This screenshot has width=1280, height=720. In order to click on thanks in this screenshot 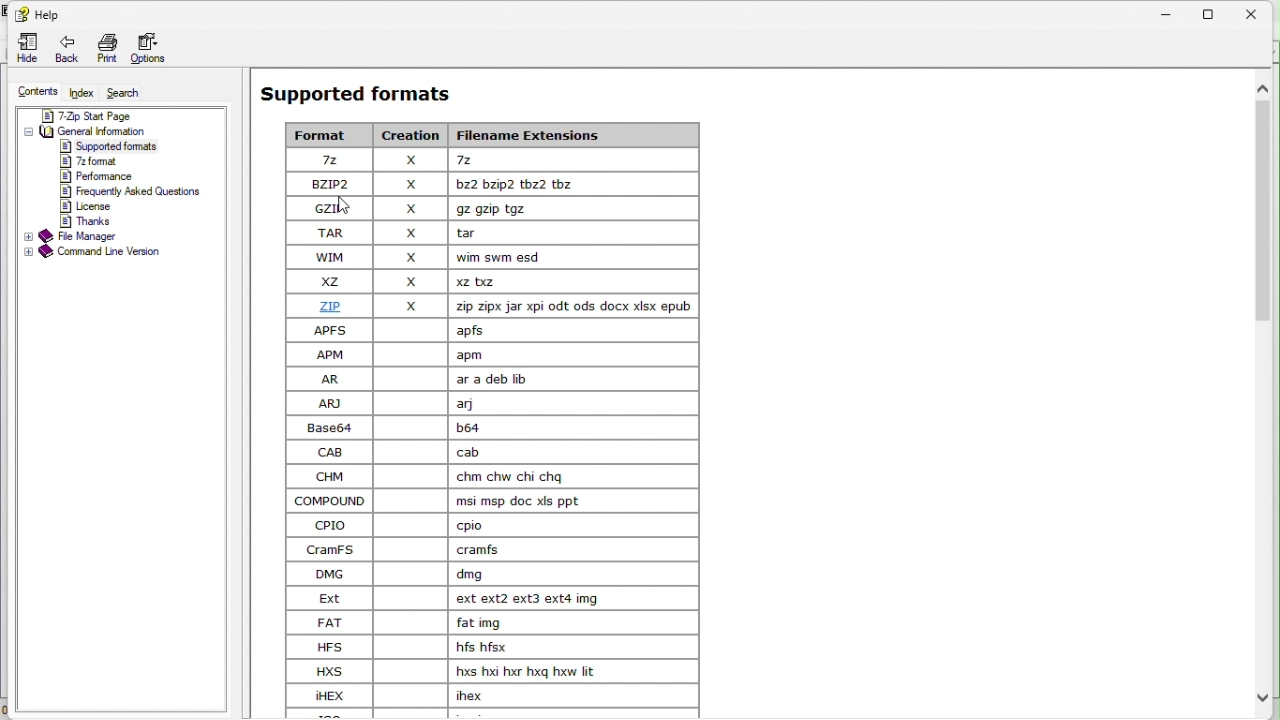, I will do `click(91, 222)`.